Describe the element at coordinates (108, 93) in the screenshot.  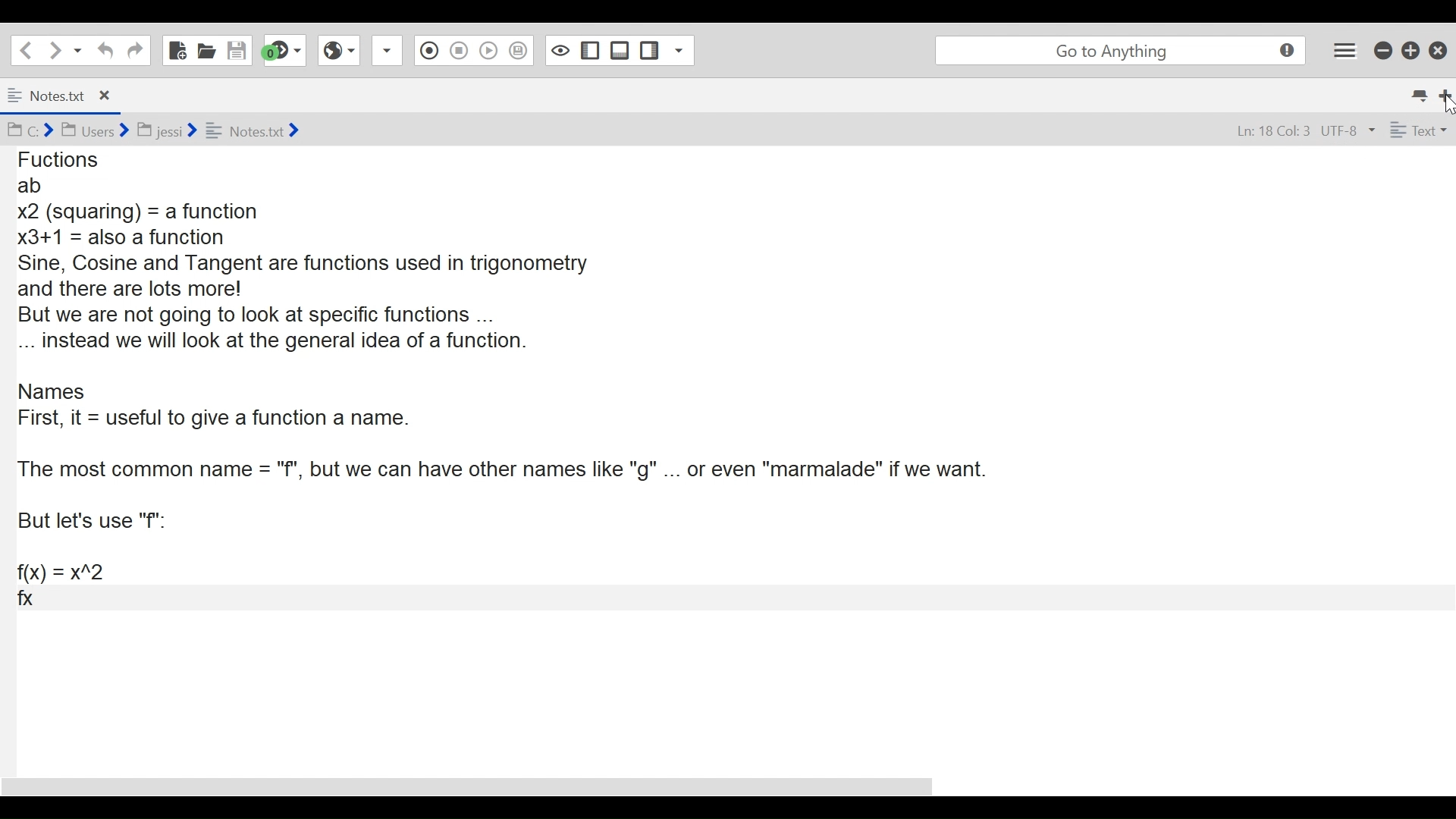
I see `close` at that location.